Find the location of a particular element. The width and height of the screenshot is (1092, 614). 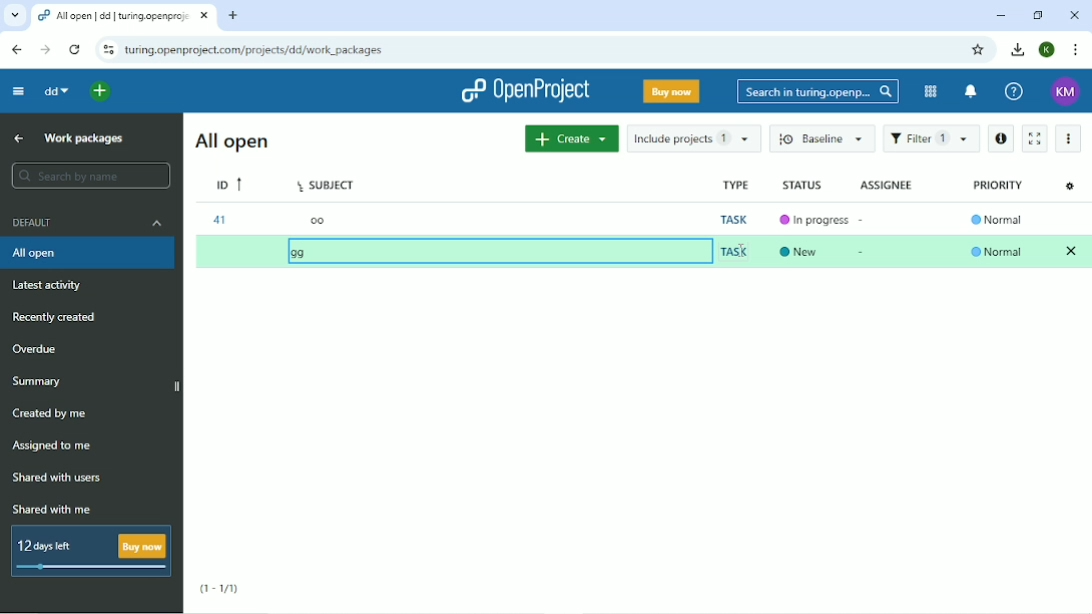

Task is located at coordinates (734, 251).